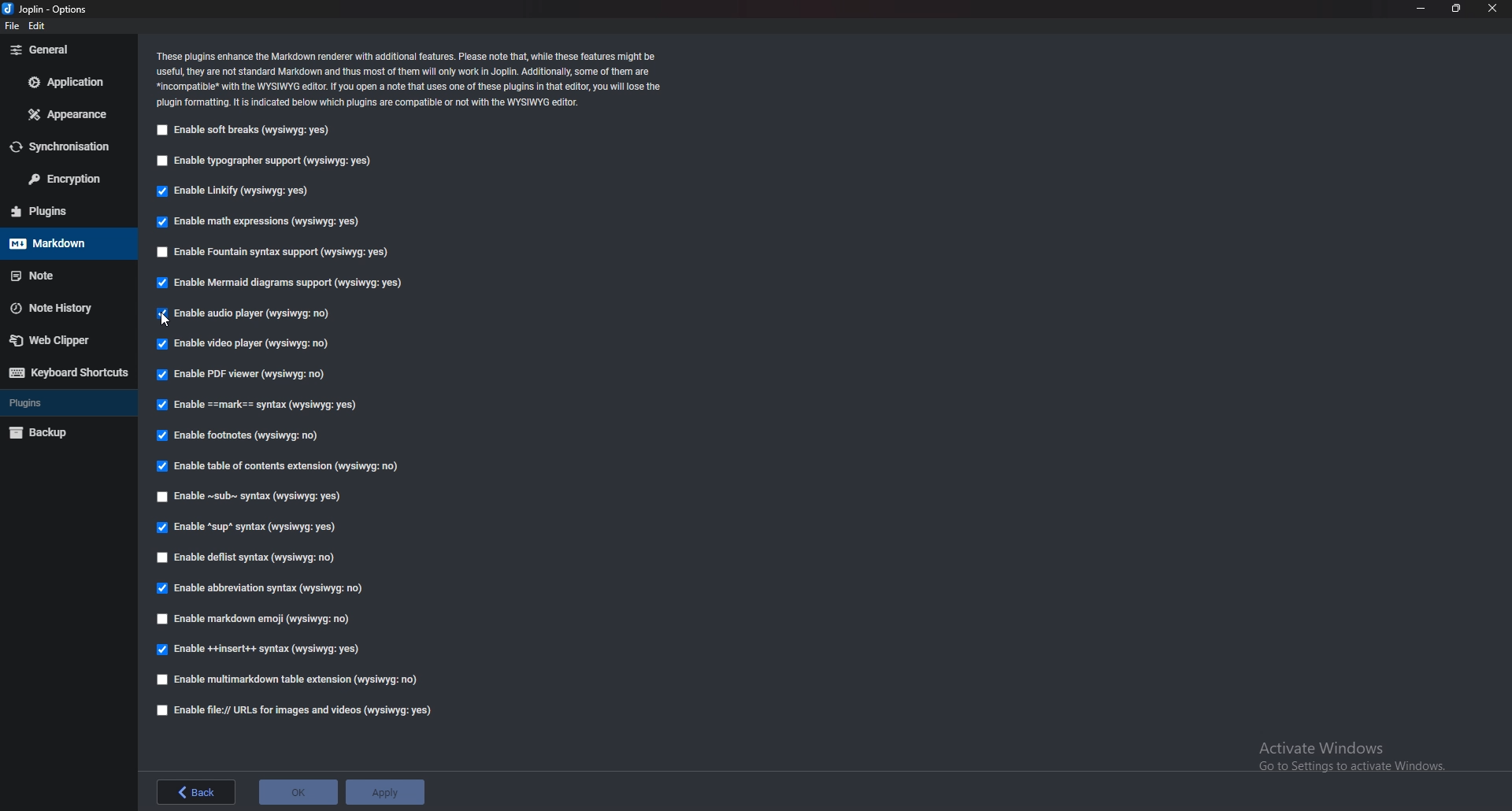  What do you see at coordinates (62, 434) in the screenshot?
I see `Backup` at bounding box center [62, 434].